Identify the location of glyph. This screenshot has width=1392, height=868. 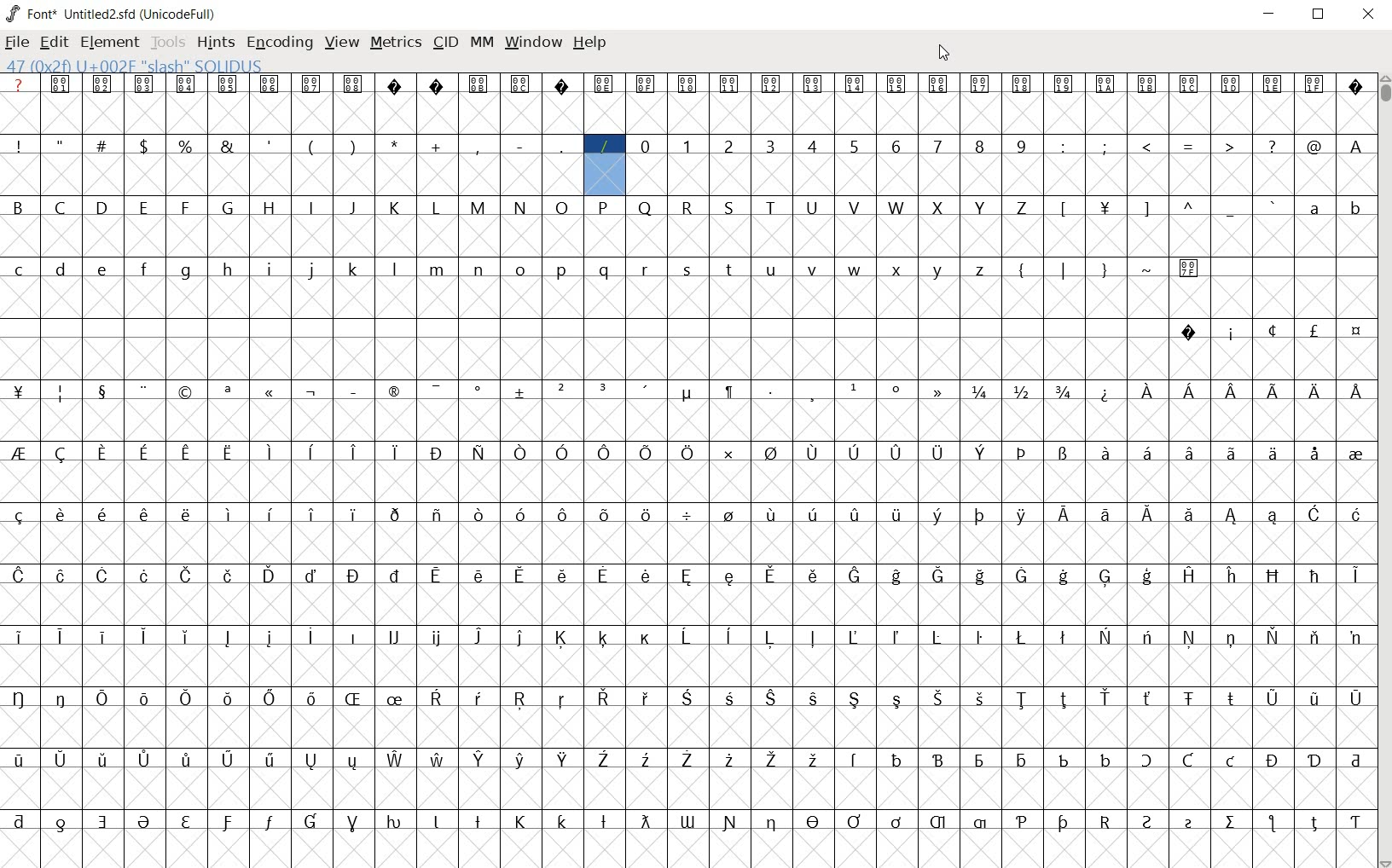
(102, 84).